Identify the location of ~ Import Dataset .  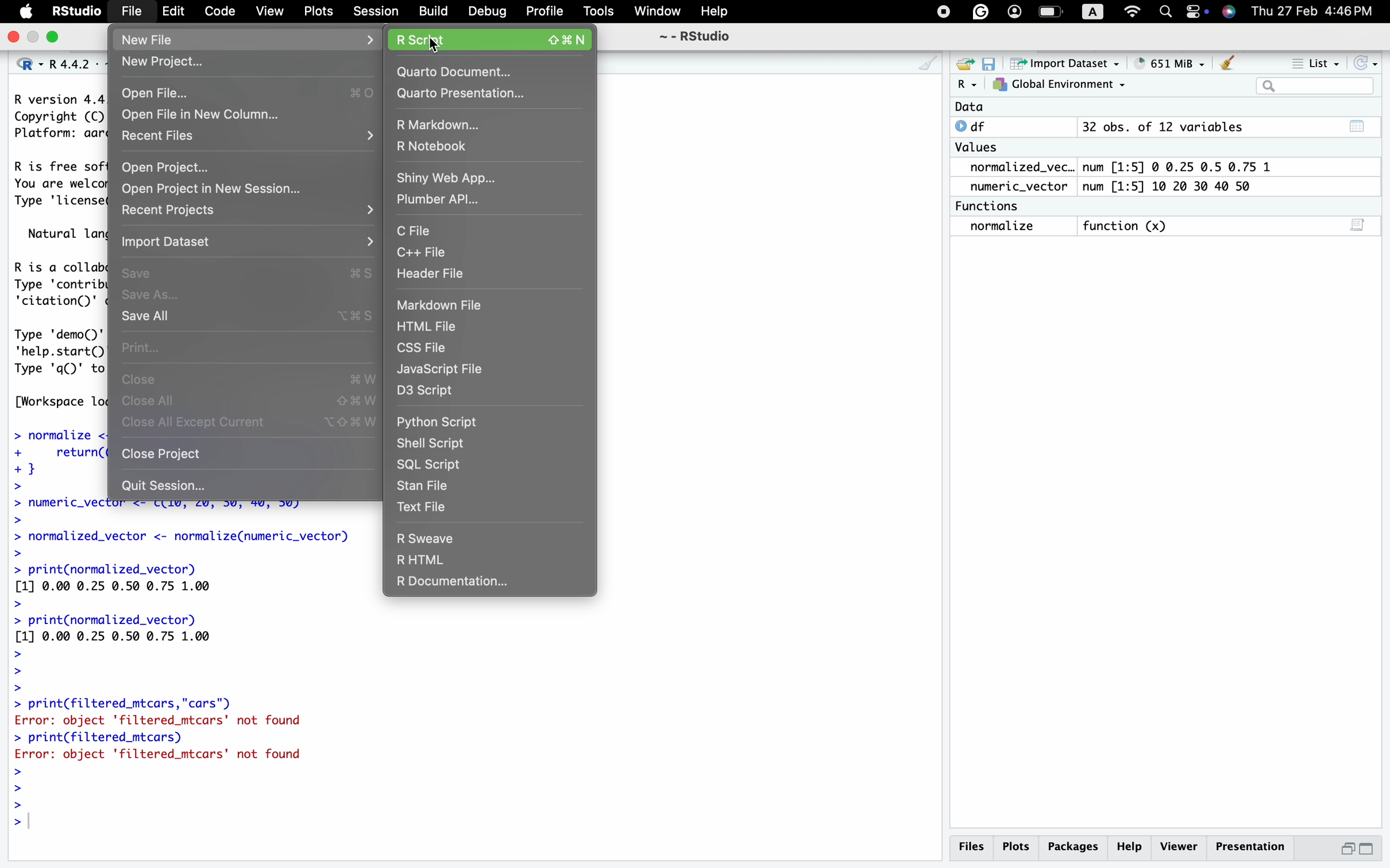
(1064, 63).